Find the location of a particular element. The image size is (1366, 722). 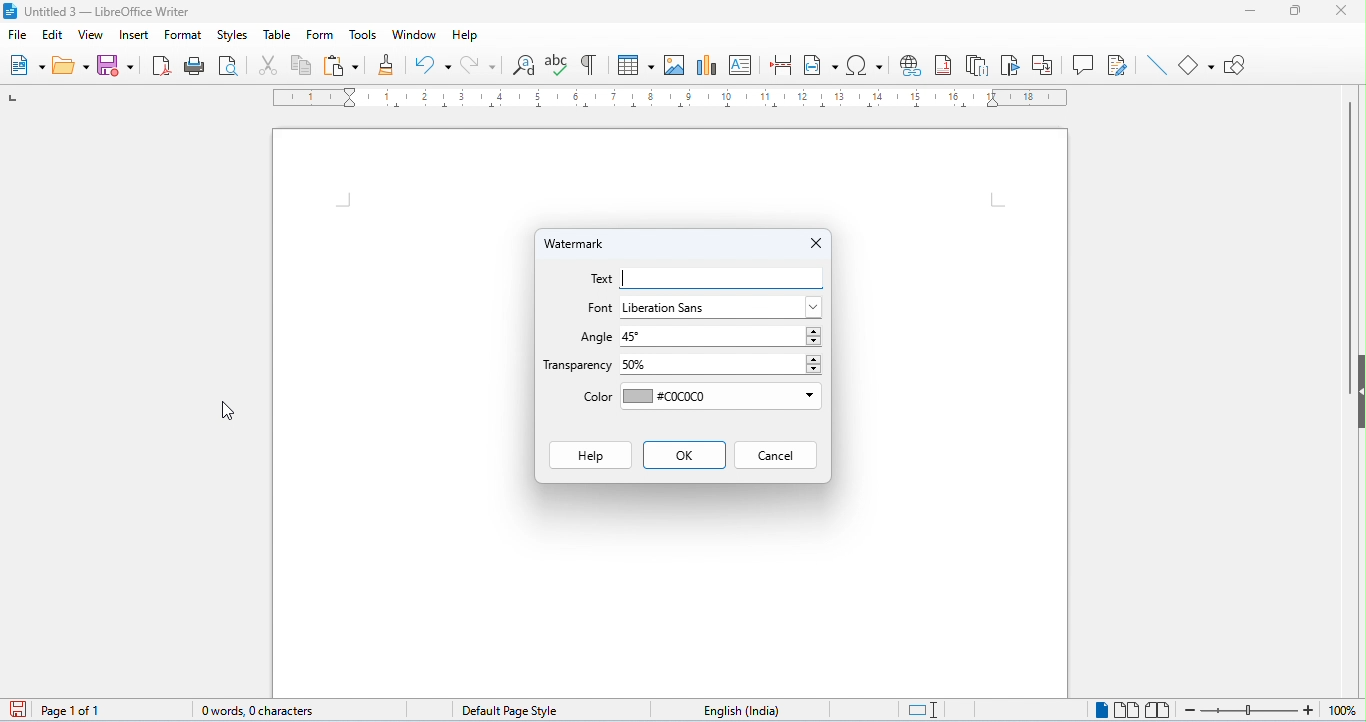

page break is located at coordinates (782, 64).